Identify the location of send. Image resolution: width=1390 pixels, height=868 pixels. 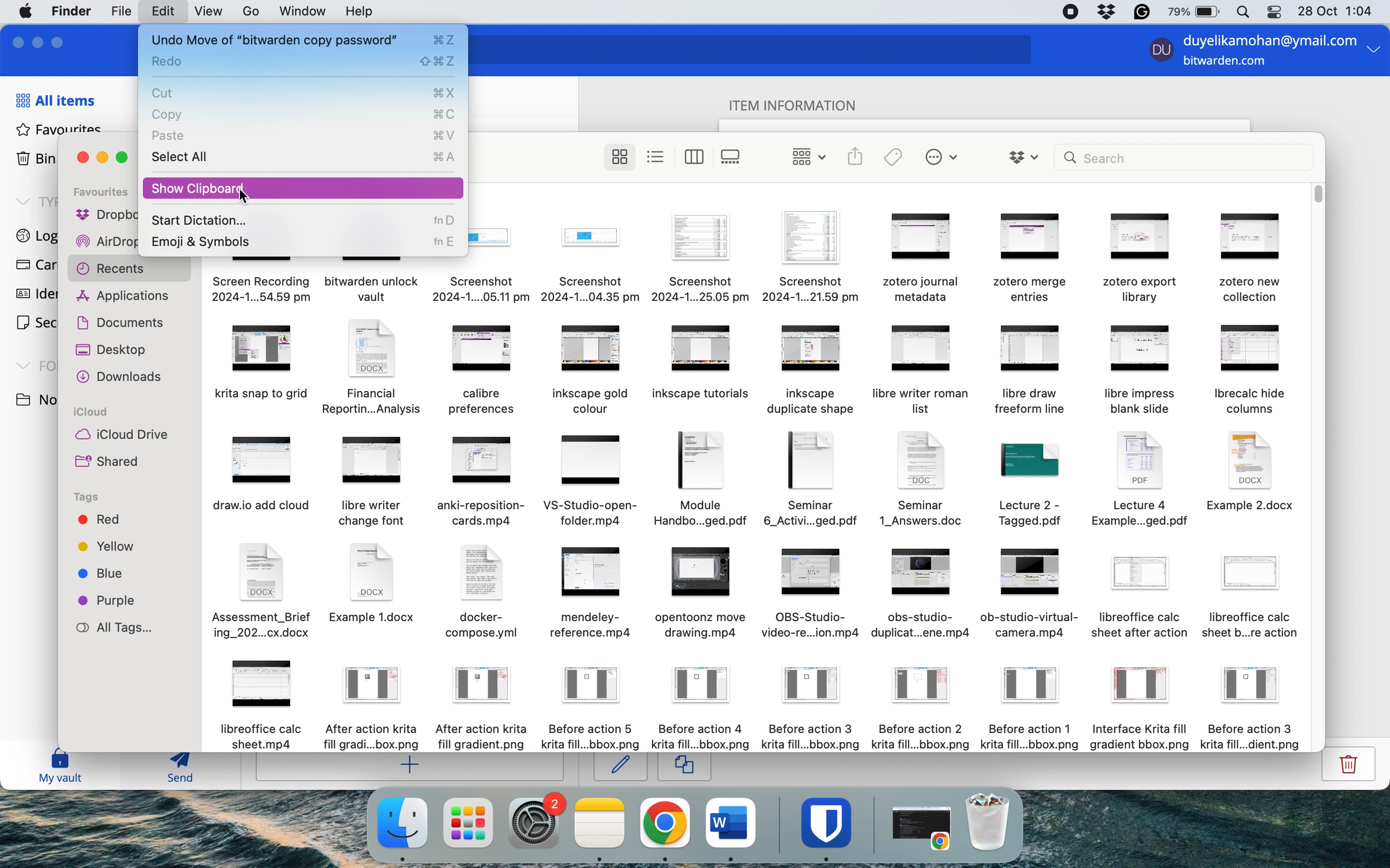
(173, 770).